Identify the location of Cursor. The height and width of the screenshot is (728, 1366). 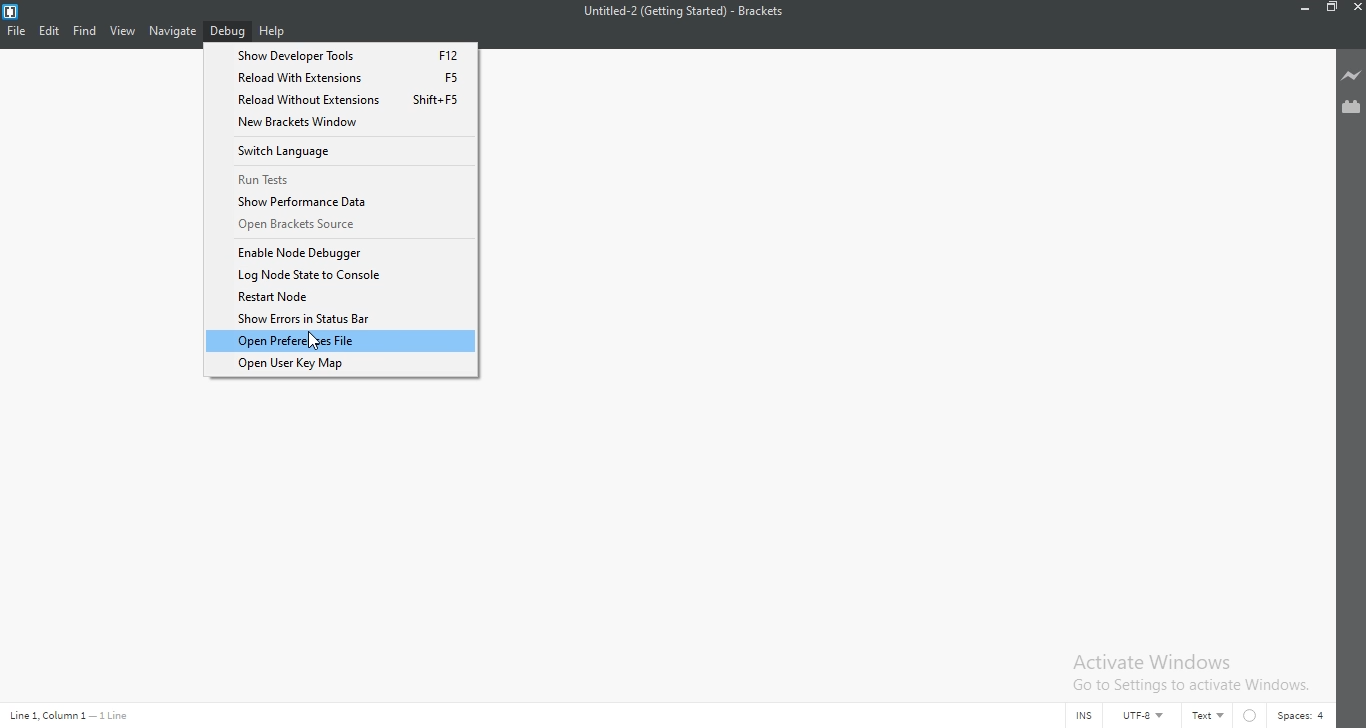
(315, 340).